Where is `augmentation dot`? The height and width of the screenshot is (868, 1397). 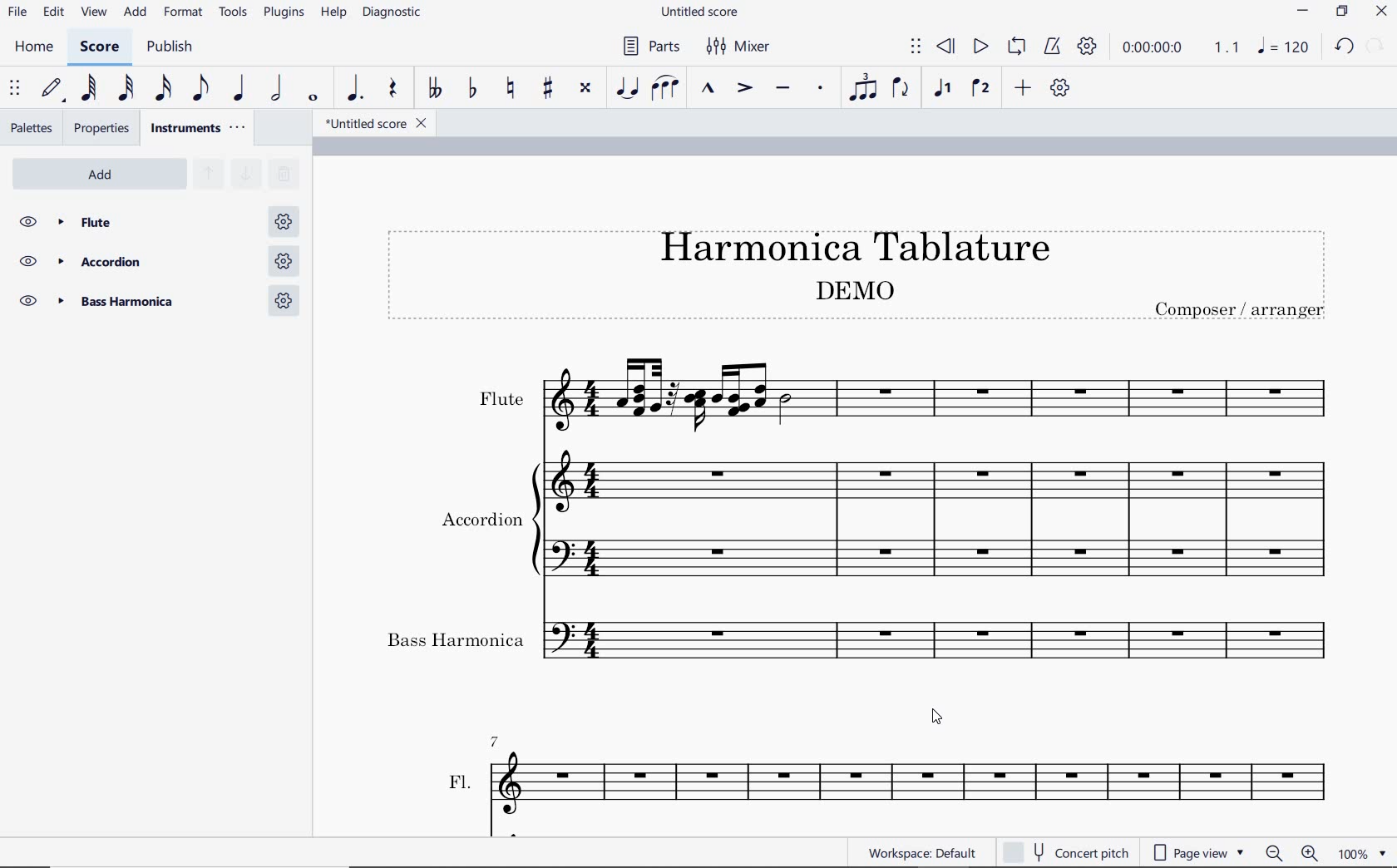 augmentation dot is located at coordinates (355, 88).